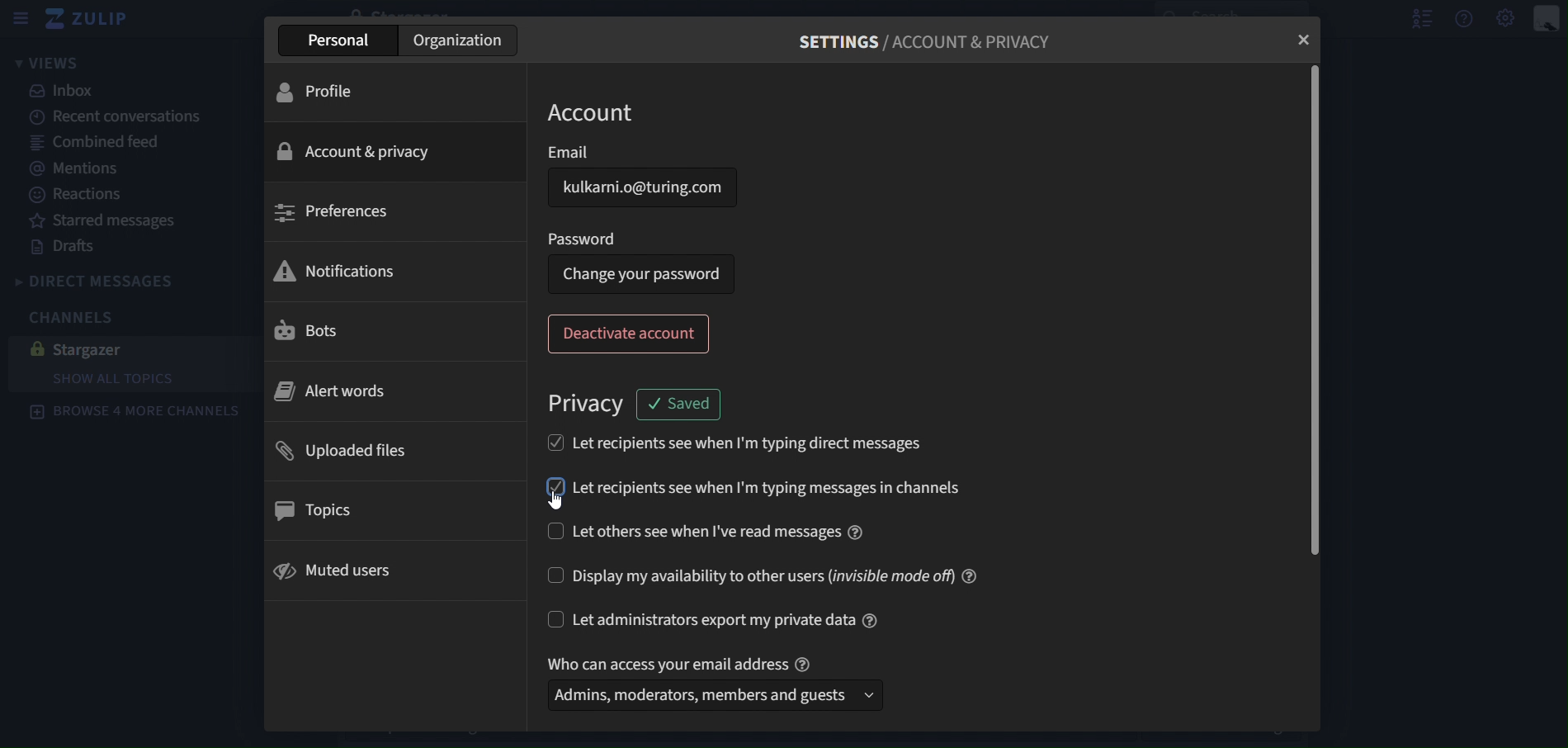 The width and height of the screenshot is (1568, 748). I want to click on show all topics, so click(130, 378).